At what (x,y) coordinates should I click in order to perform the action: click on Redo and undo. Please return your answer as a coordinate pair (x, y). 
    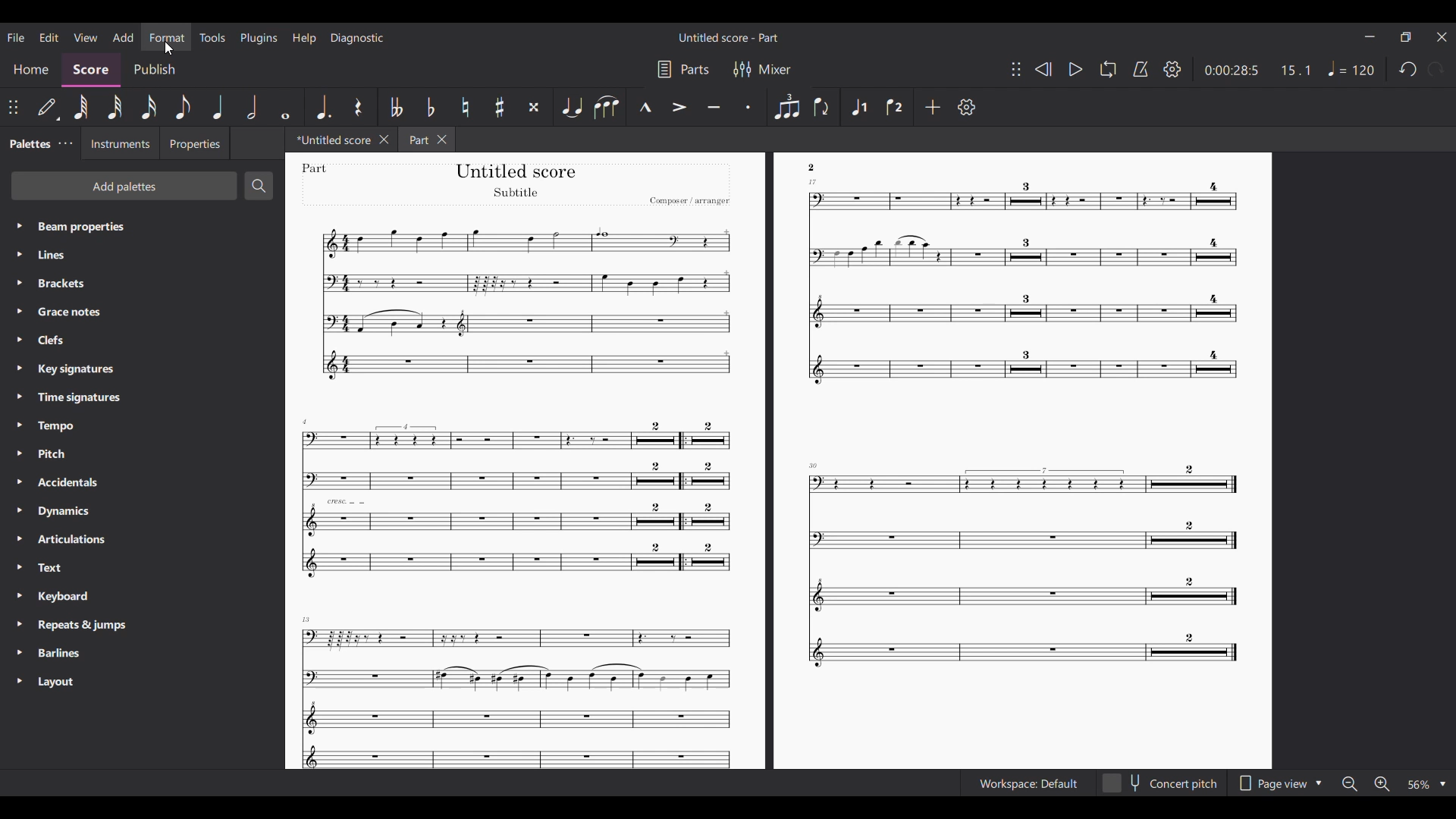
    Looking at the image, I should click on (1421, 69).